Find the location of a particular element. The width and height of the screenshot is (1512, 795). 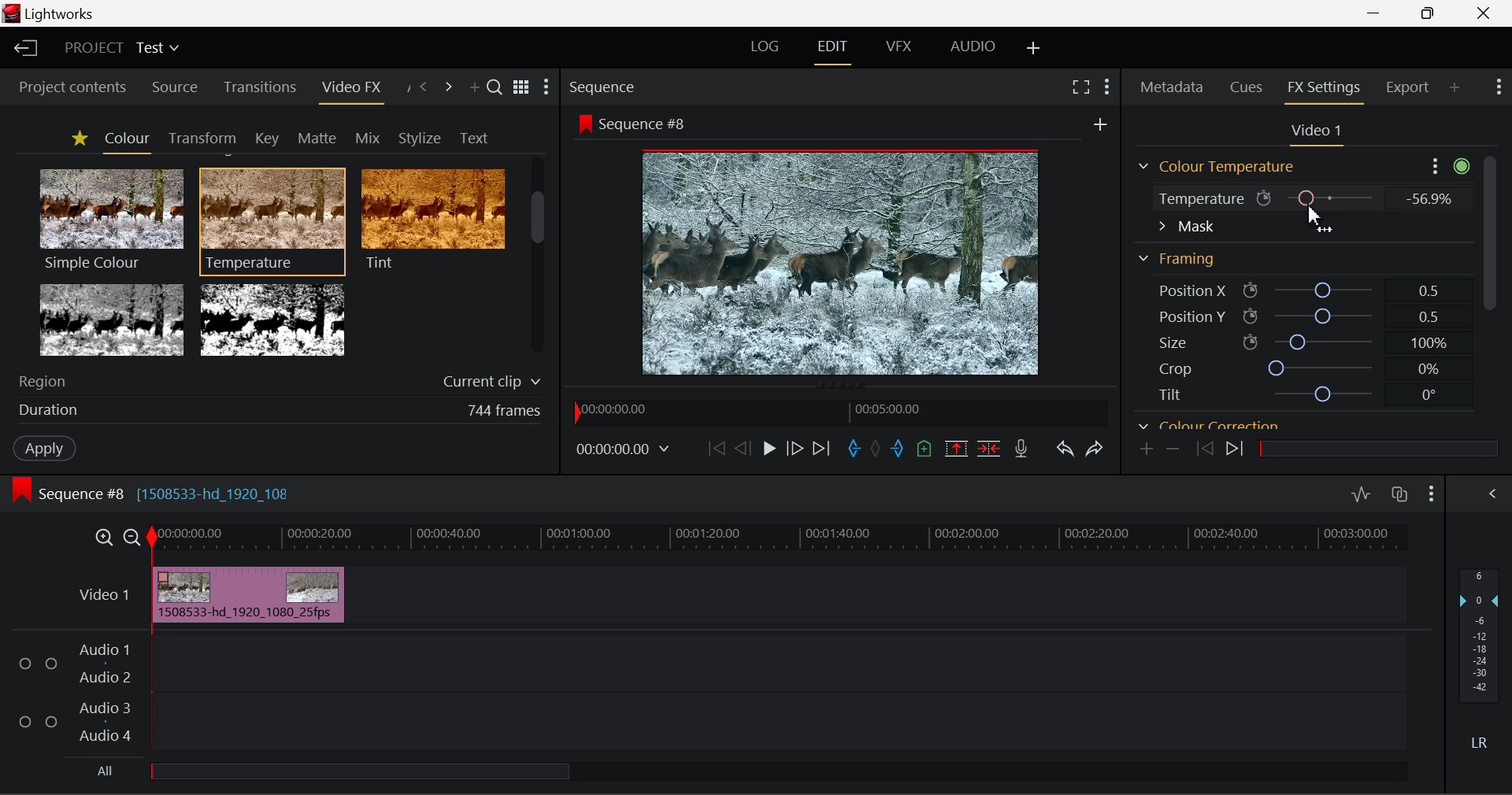

0° is located at coordinates (1430, 395).